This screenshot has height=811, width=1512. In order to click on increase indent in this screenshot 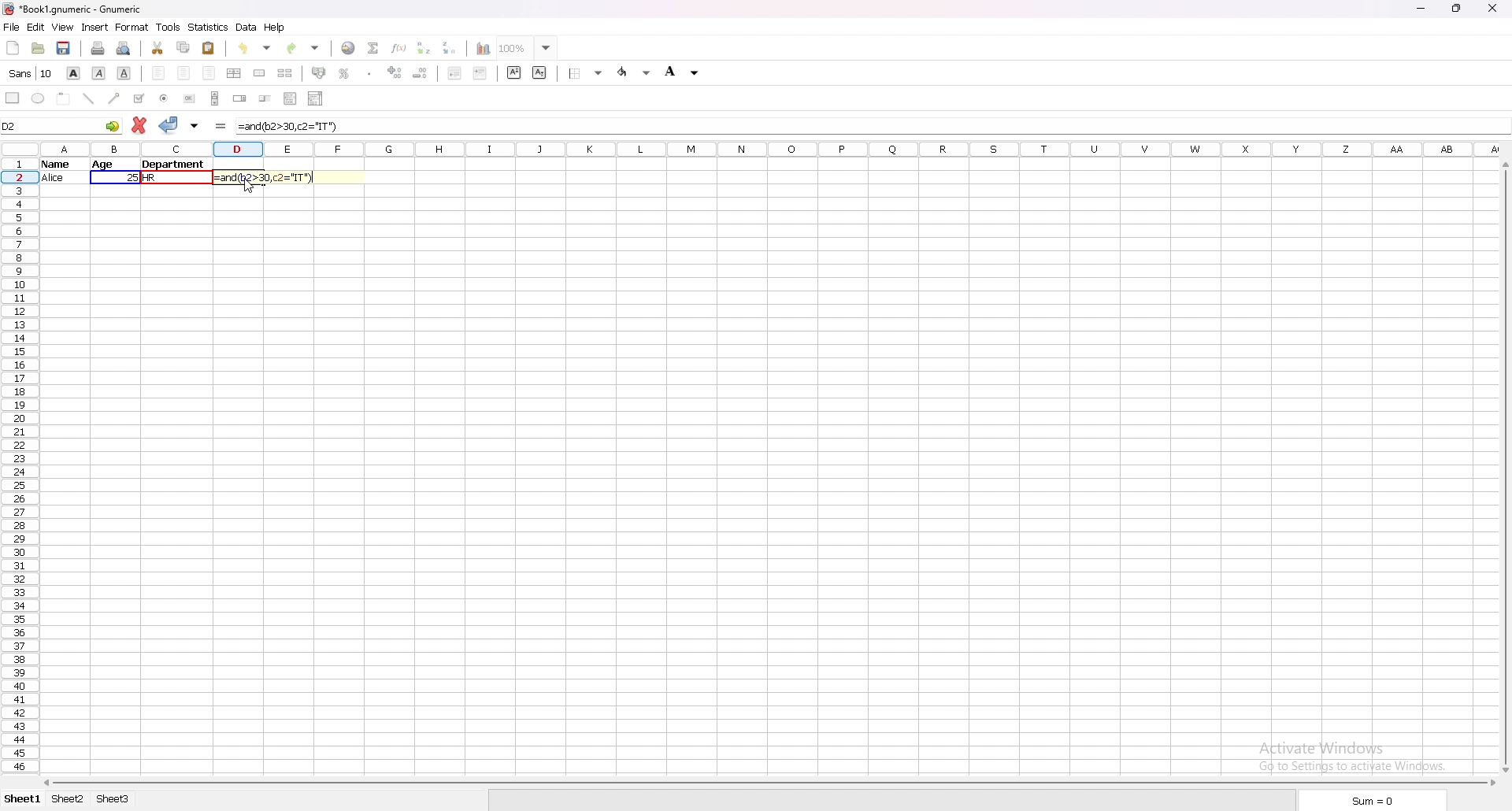, I will do `click(480, 72)`.